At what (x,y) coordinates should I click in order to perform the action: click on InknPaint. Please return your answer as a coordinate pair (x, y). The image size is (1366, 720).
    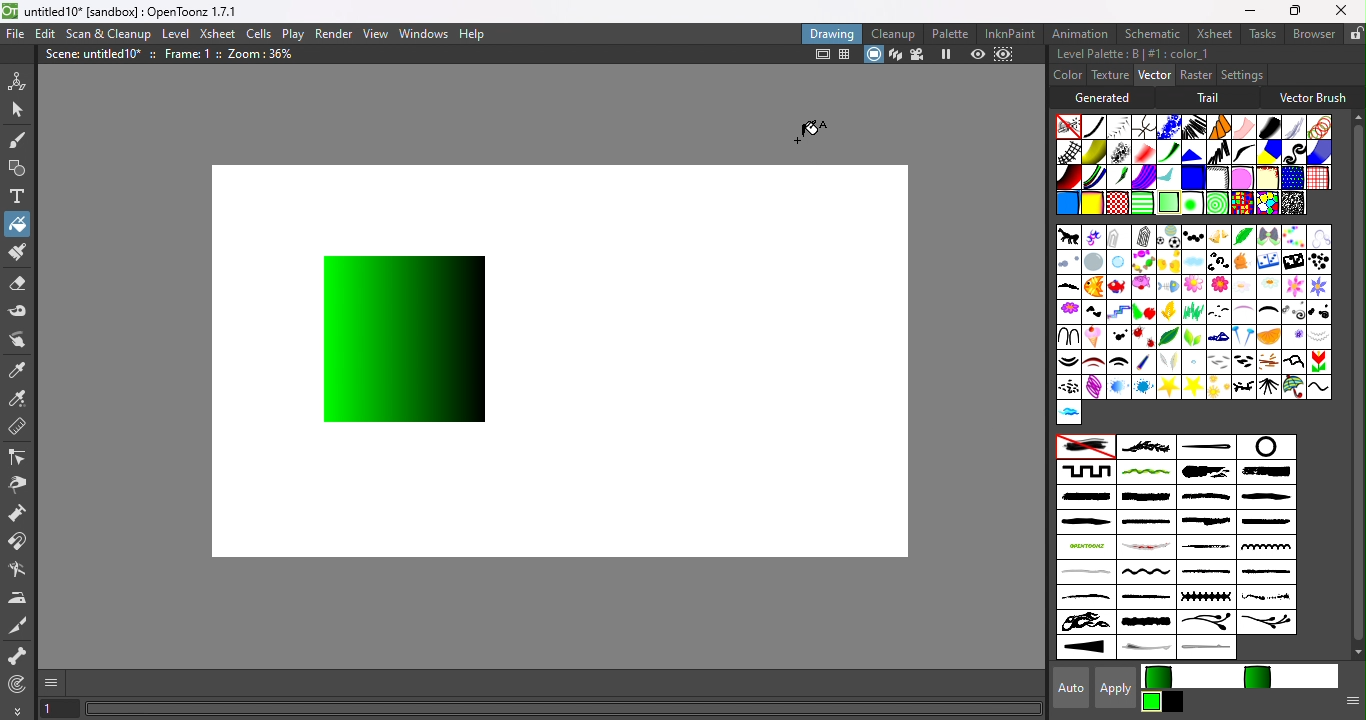
    Looking at the image, I should click on (1014, 33).